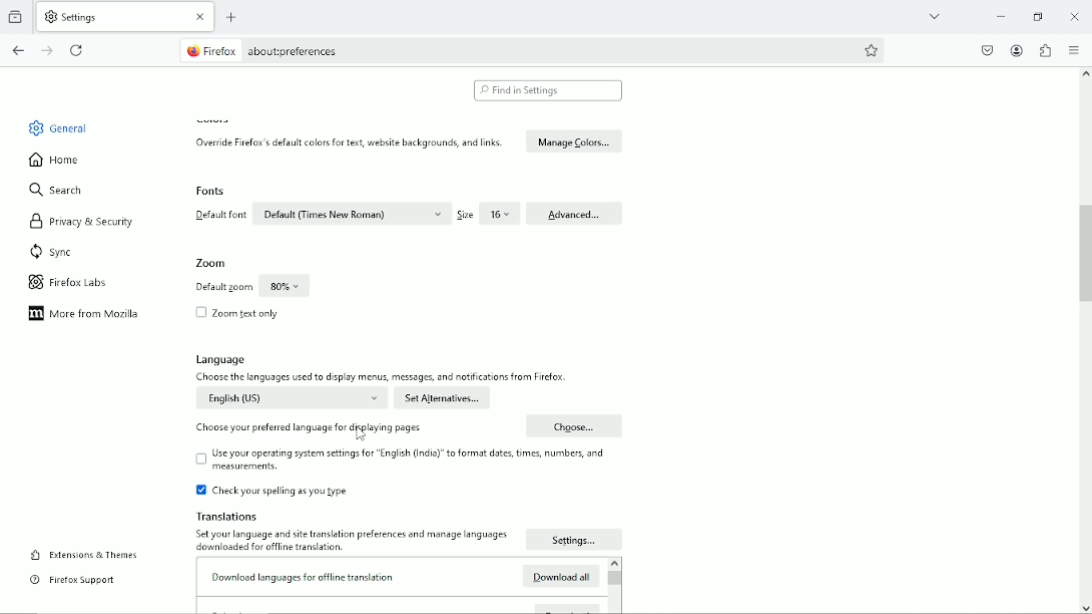  What do you see at coordinates (76, 17) in the screenshot?
I see `Settings` at bounding box center [76, 17].